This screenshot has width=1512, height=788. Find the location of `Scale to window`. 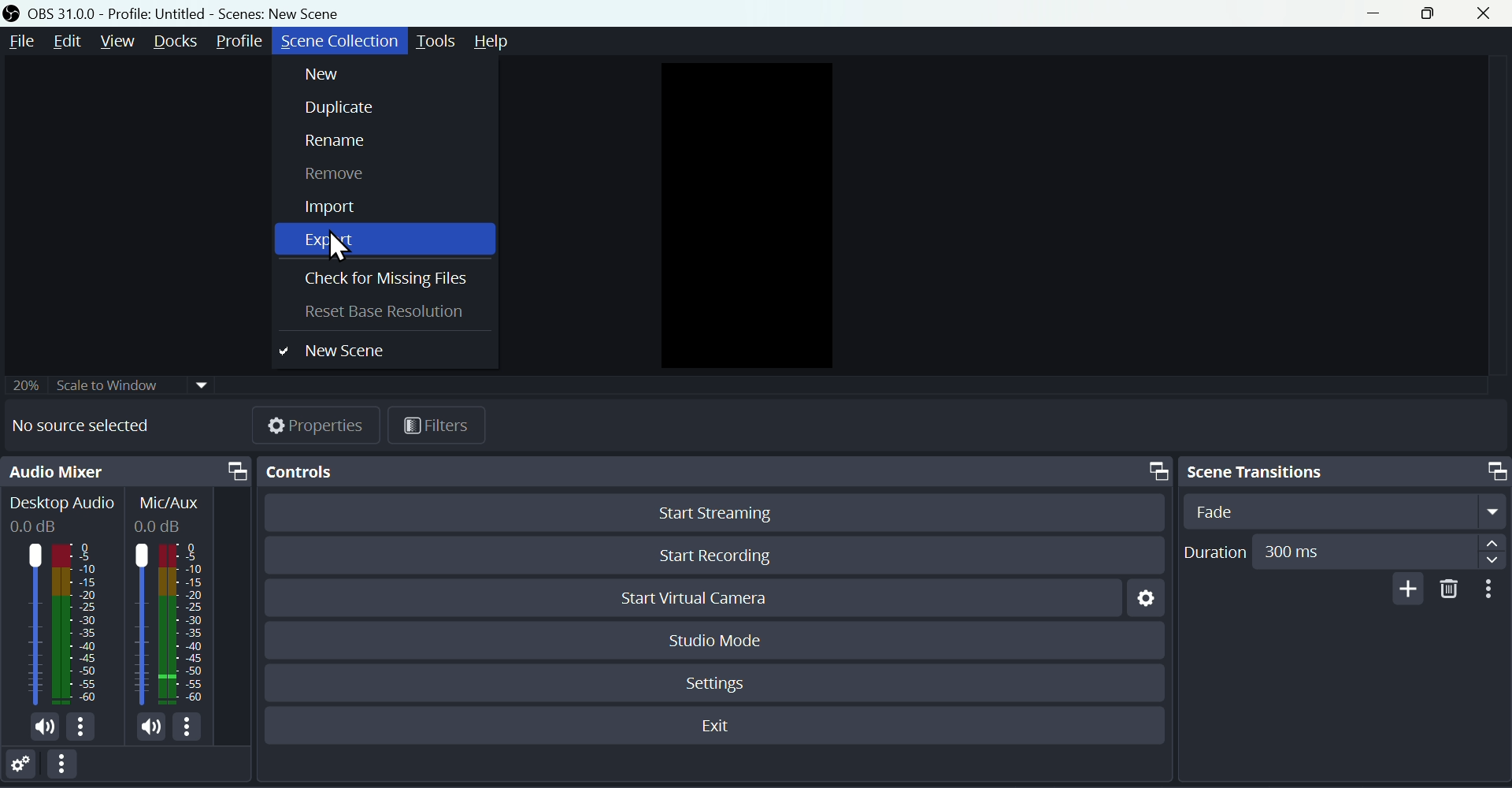

Scale to window is located at coordinates (112, 383).